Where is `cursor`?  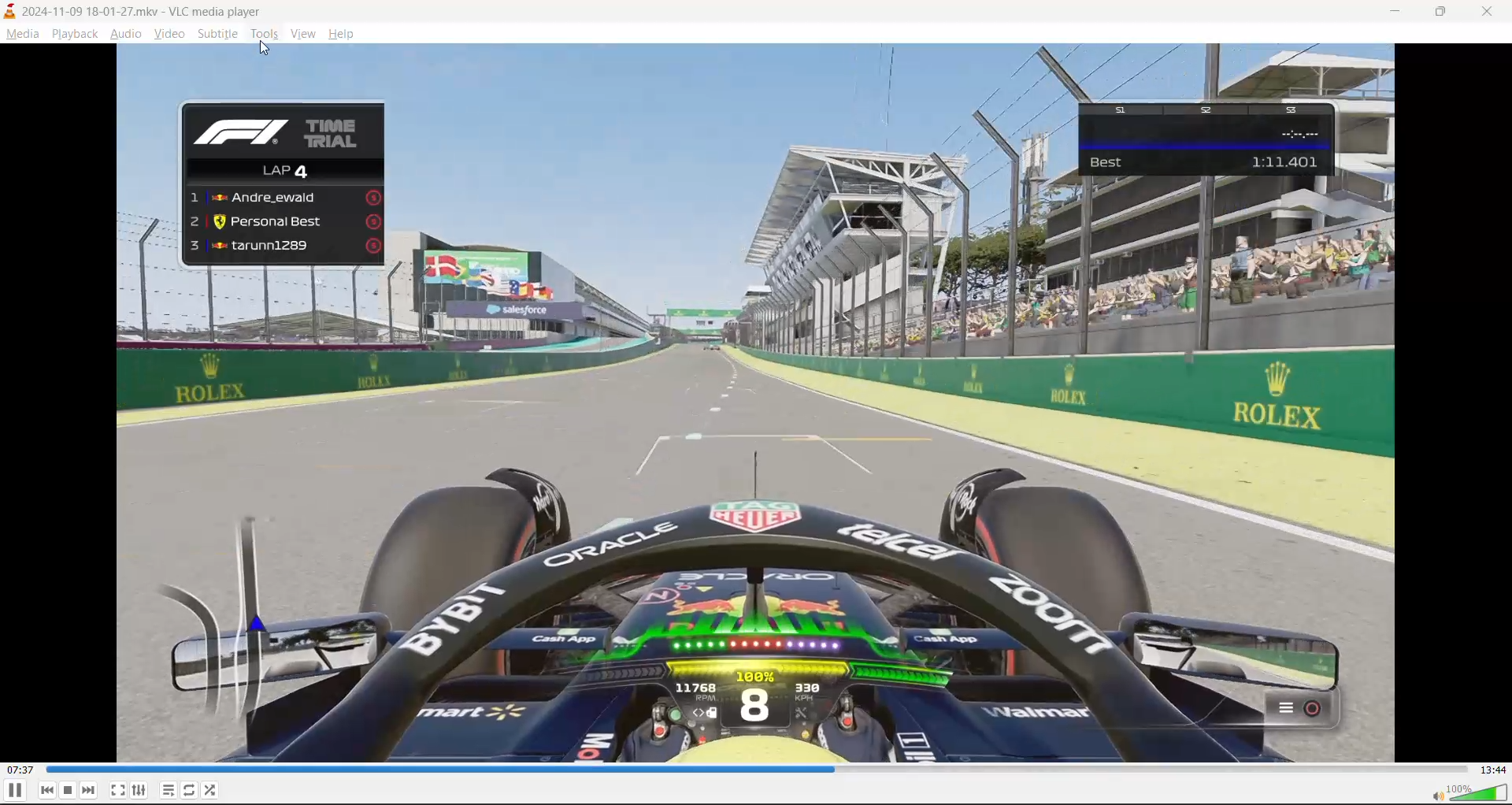
cursor is located at coordinates (266, 47).